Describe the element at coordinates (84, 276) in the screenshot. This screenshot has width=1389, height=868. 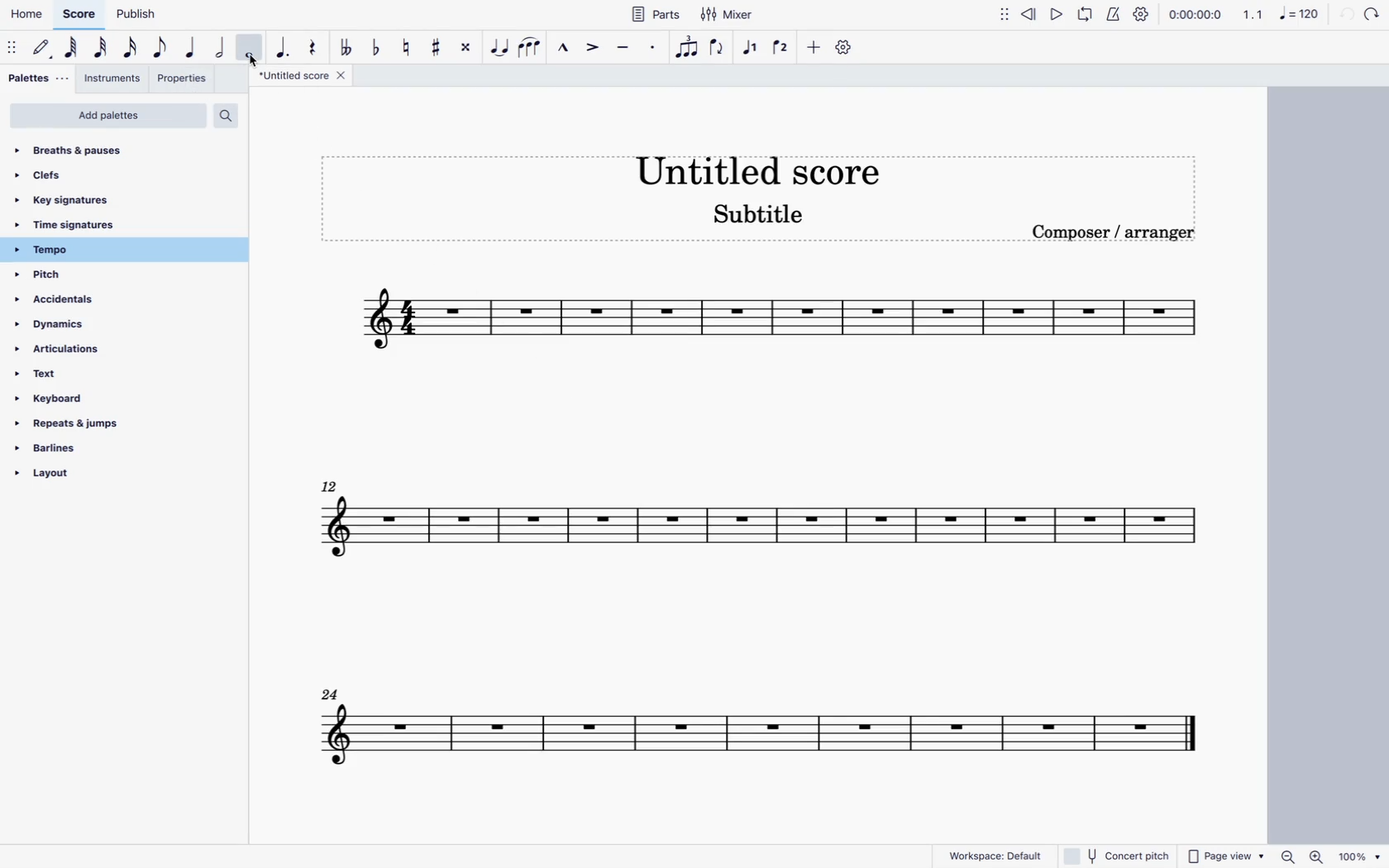
I see `pitch` at that location.